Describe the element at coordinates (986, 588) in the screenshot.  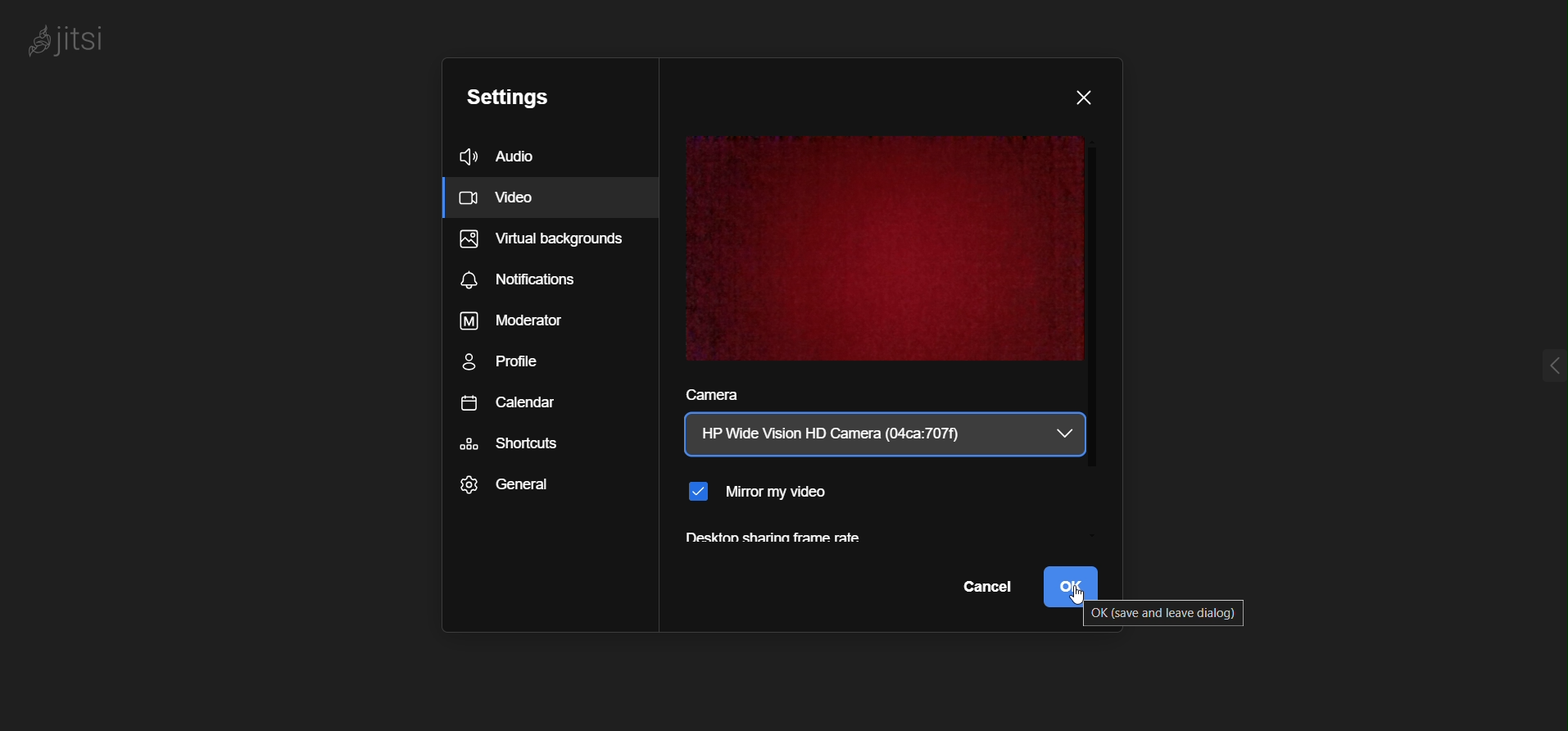
I see `cancel` at that location.